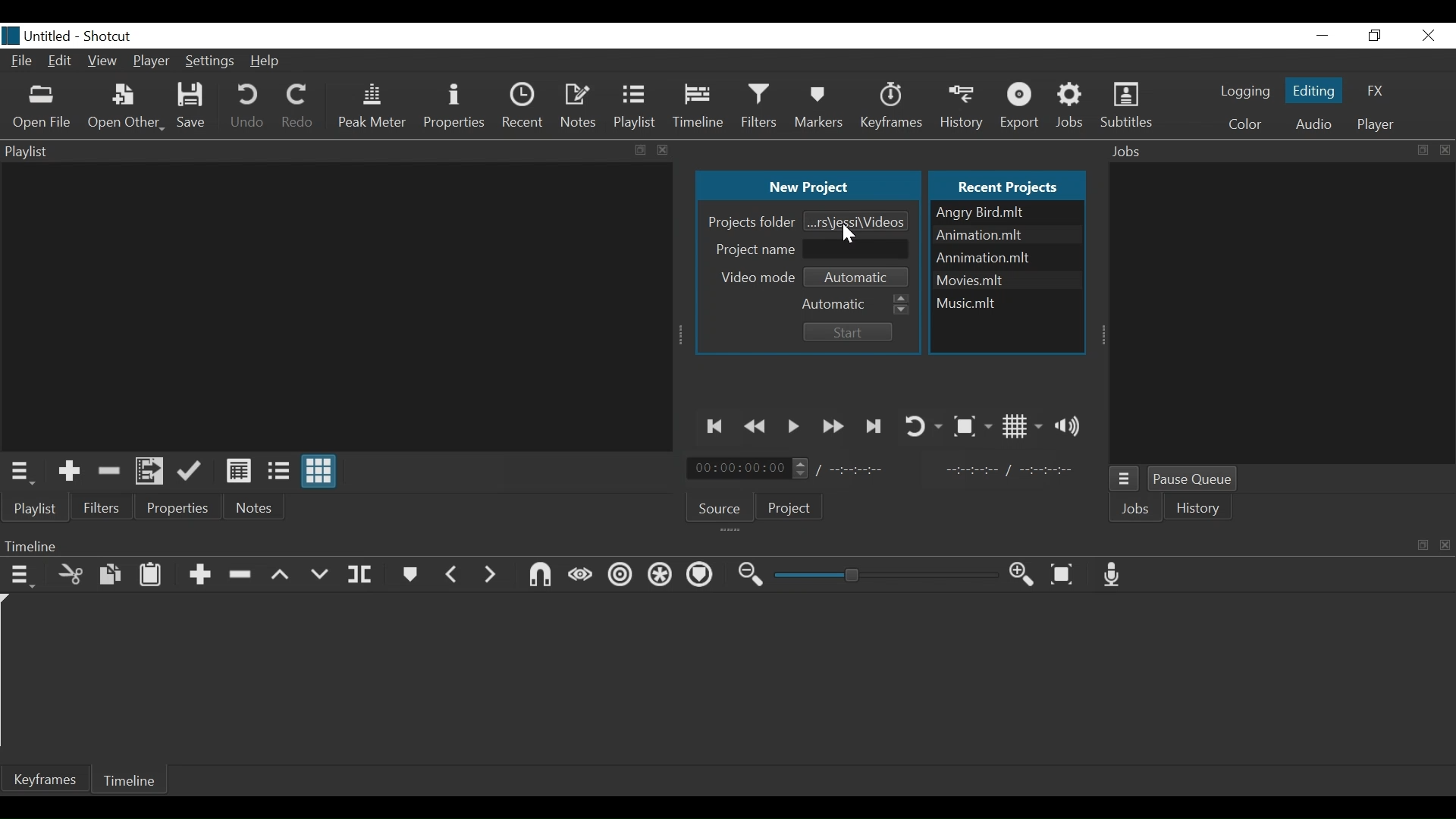 The image size is (1456, 819). What do you see at coordinates (1312, 89) in the screenshot?
I see `Editing` at bounding box center [1312, 89].